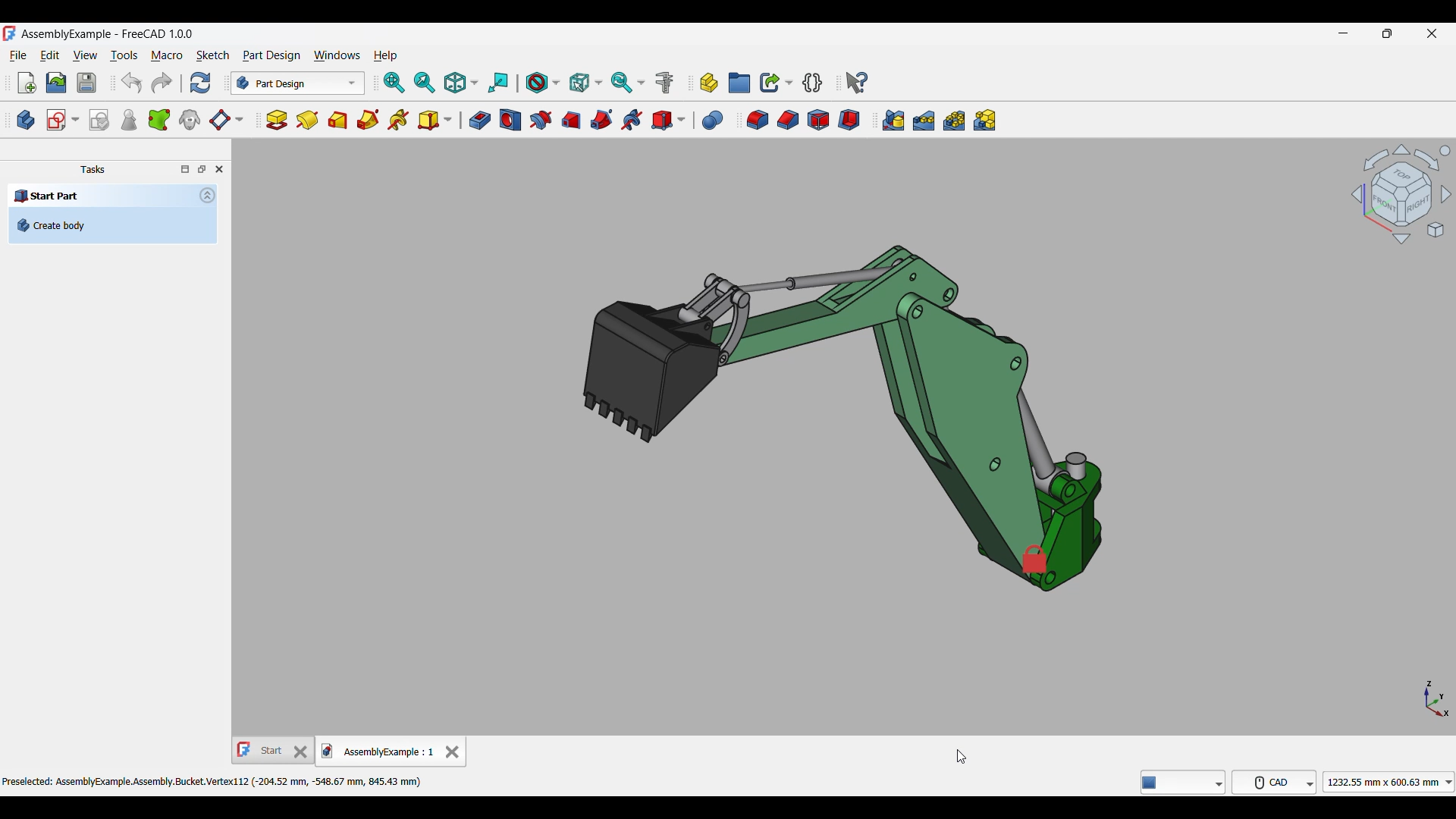 The width and height of the screenshot is (1456, 819). What do you see at coordinates (219, 169) in the screenshot?
I see `Close` at bounding box center [219, 169].